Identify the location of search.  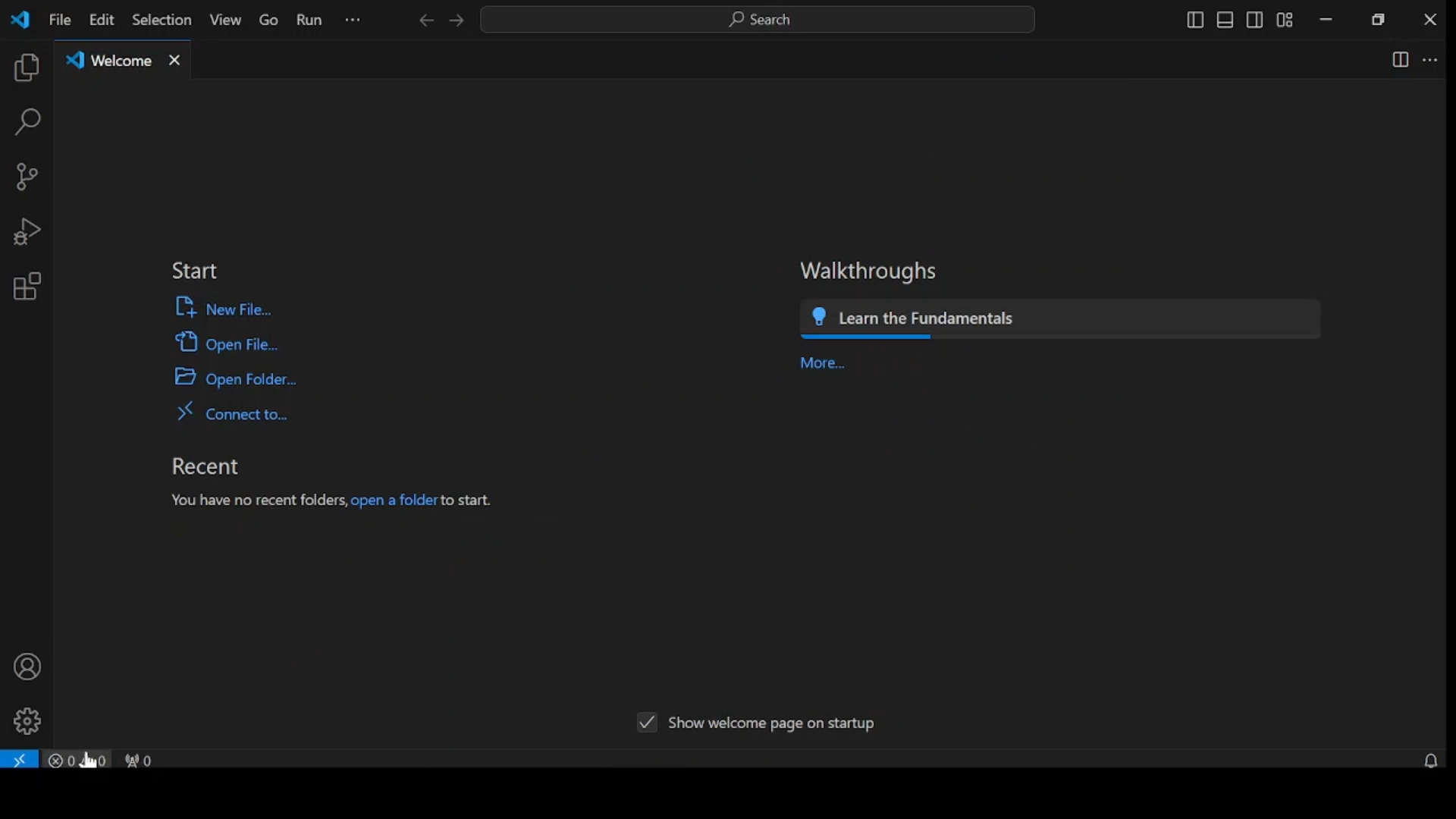
(27, 123).